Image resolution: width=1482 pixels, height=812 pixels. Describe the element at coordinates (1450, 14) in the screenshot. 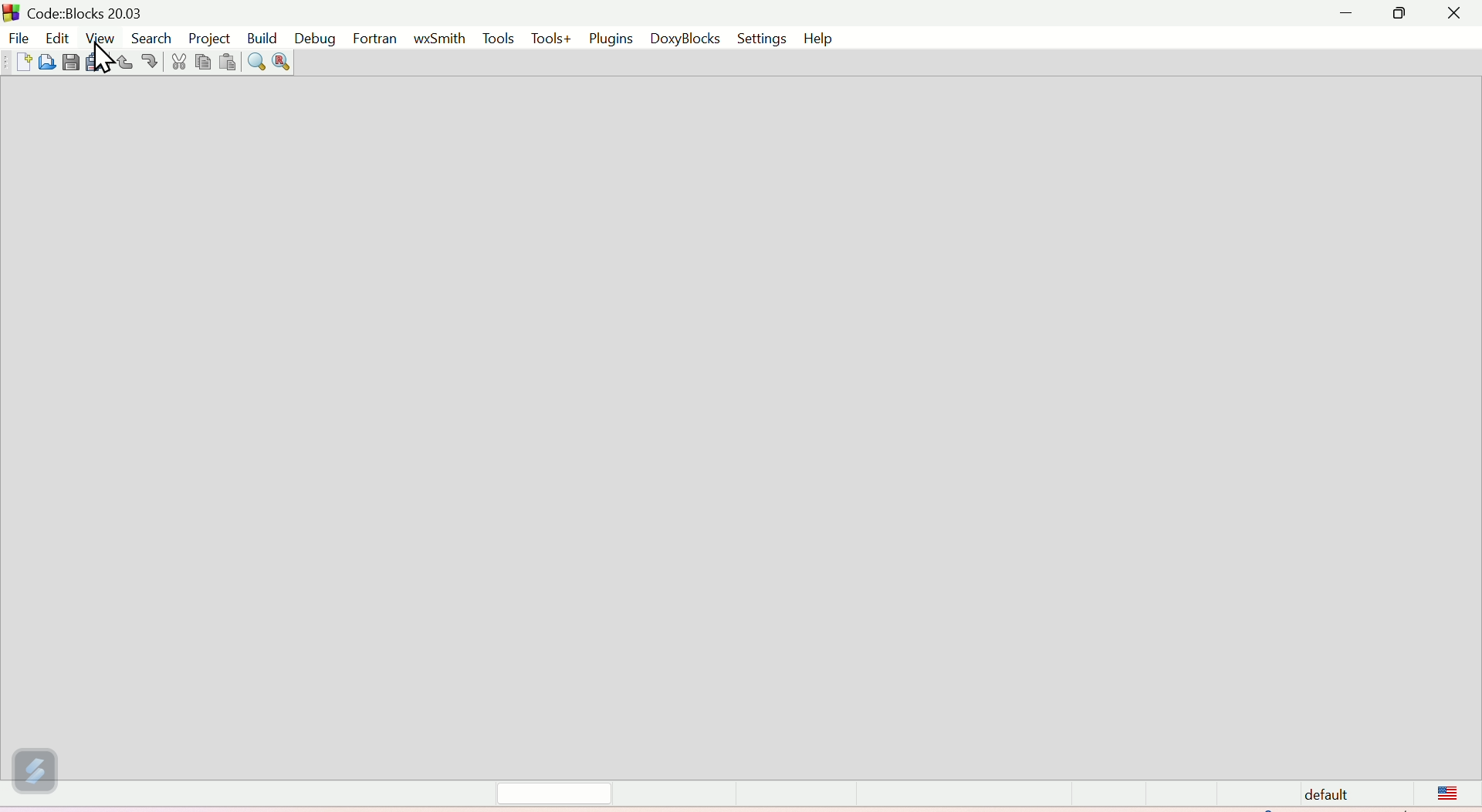

I see `Close` at that location.